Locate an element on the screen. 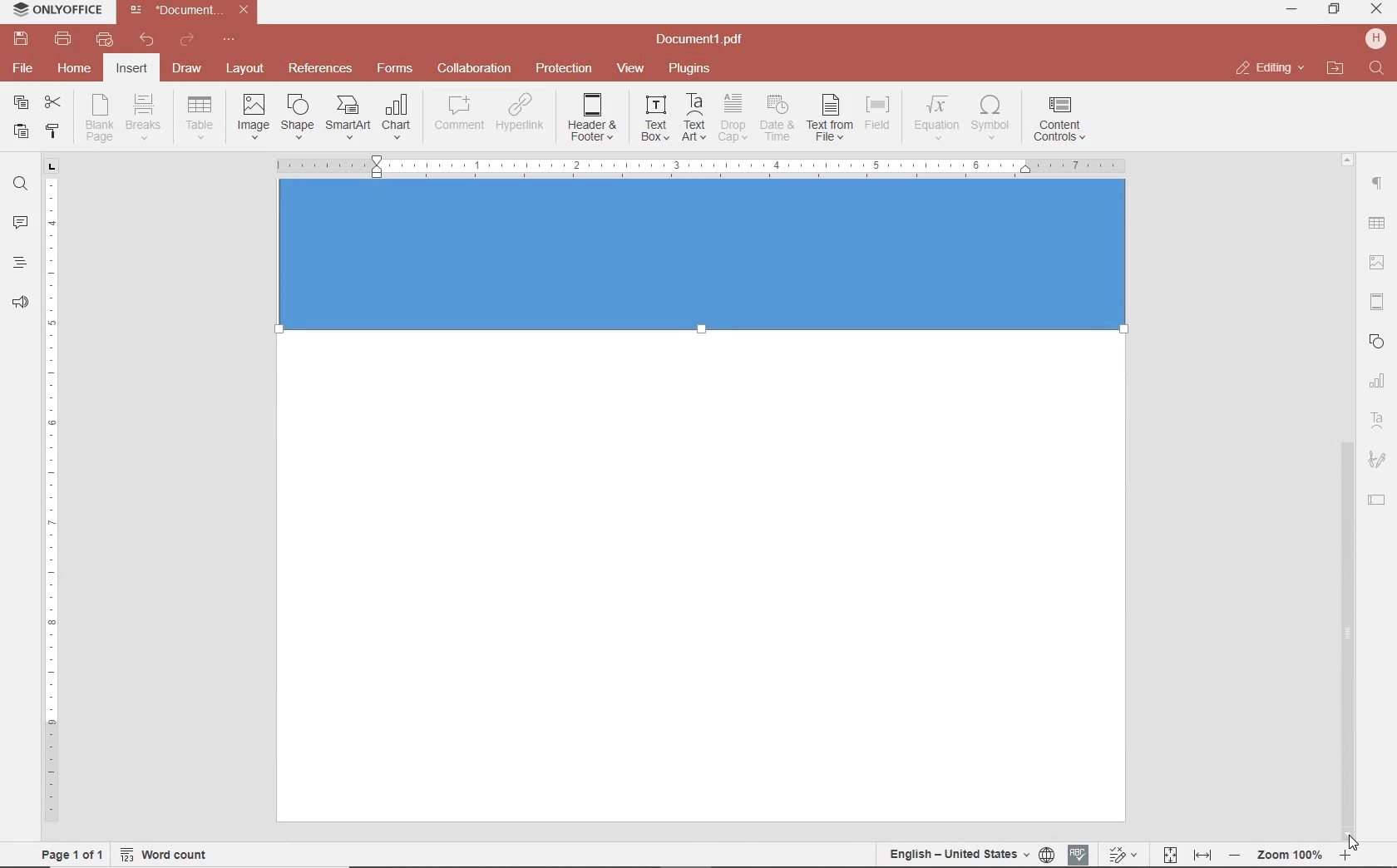  open file location is located at coordinates (1335, 69).